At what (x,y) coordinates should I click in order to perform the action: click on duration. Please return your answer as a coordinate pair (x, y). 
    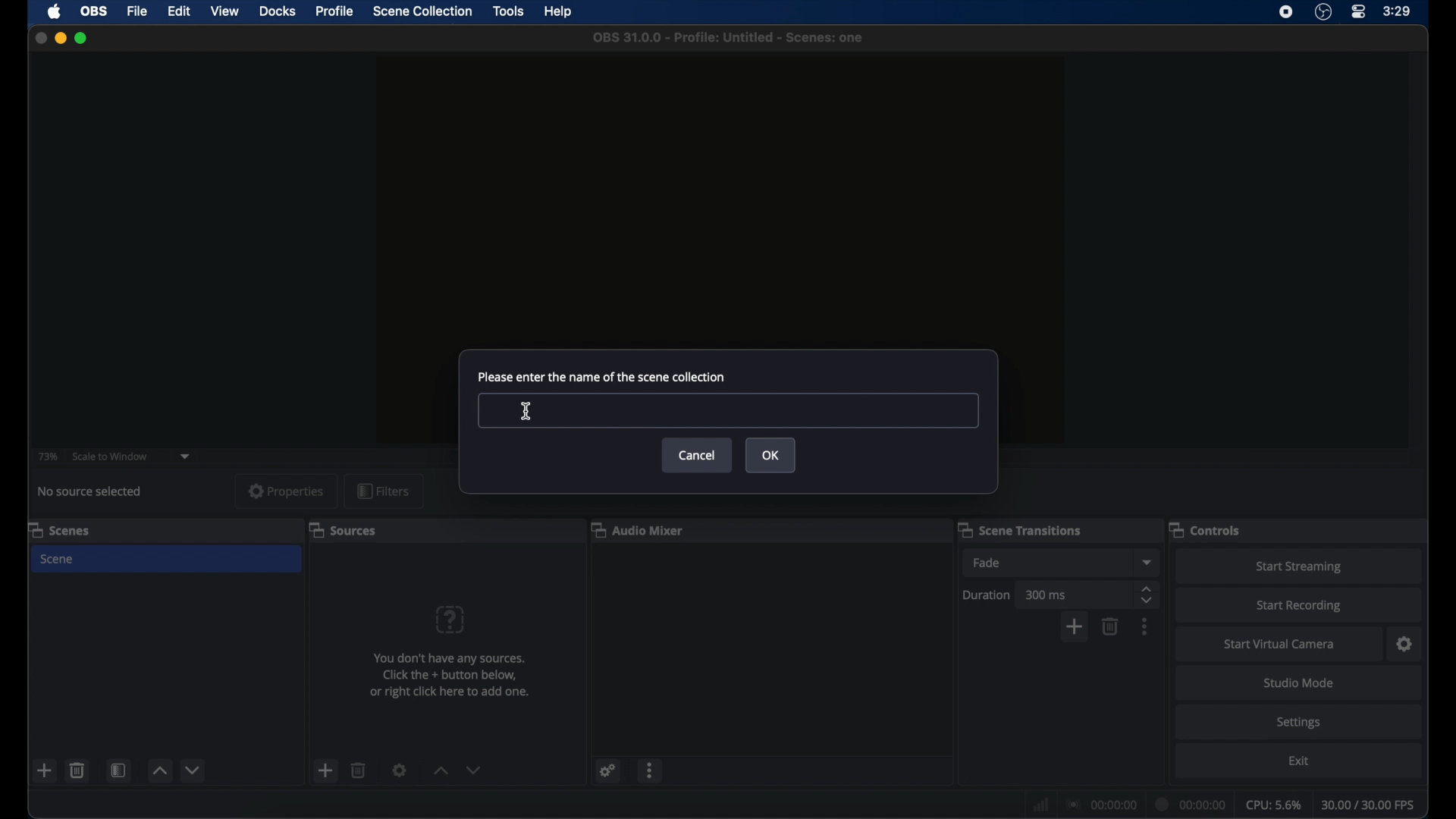
    Looking at the image, I should click on (987, 595).